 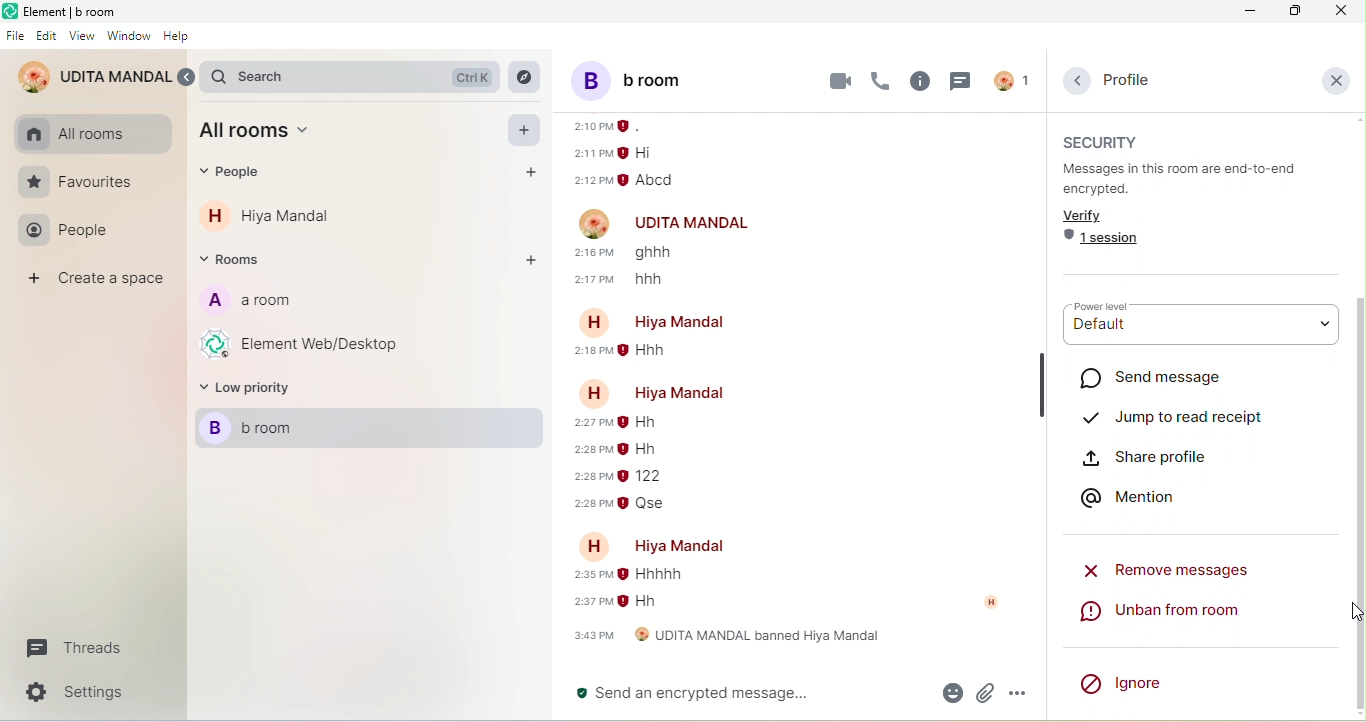 What do you see at coordinates (596, 252) in the screenshot?
I see `sending message time` at bounding box center [596, 252].